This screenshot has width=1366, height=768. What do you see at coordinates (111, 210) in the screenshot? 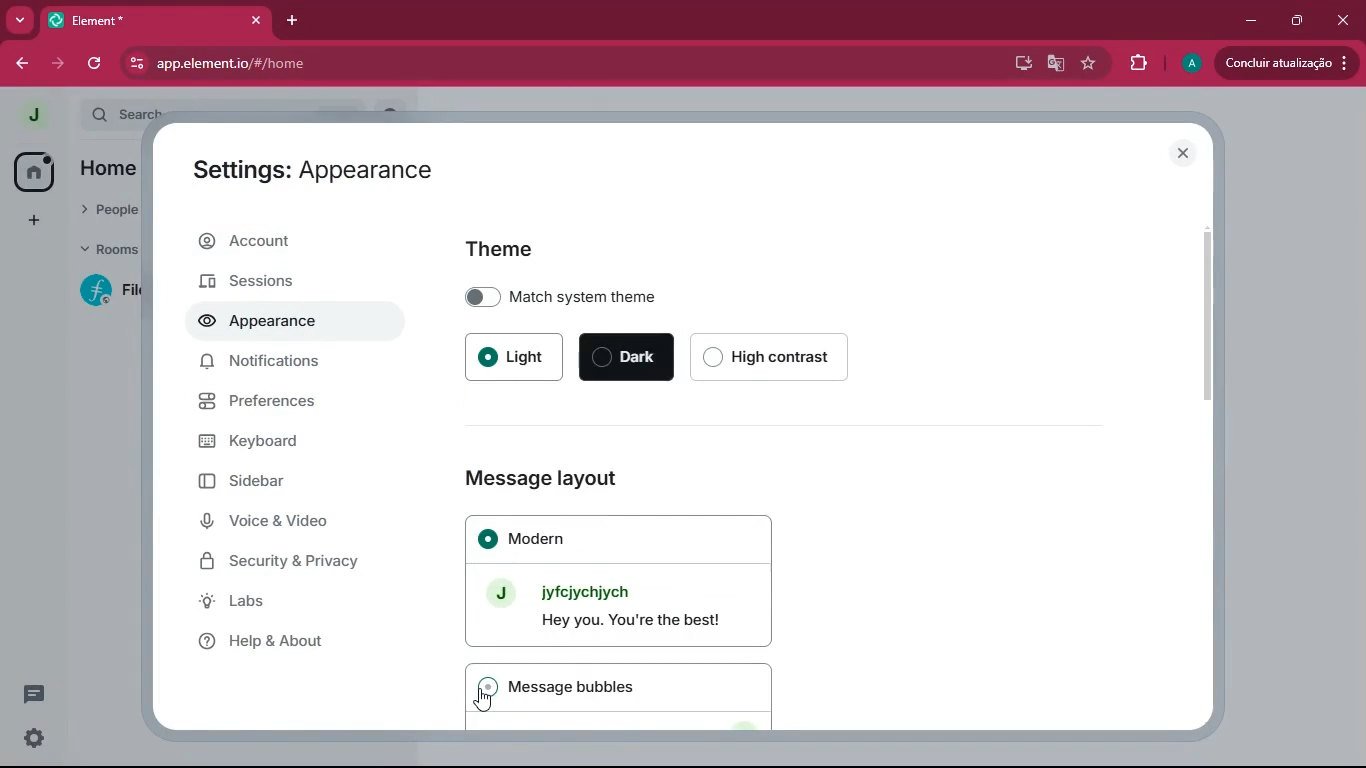
I see `people` at bounding box center [111, 210].